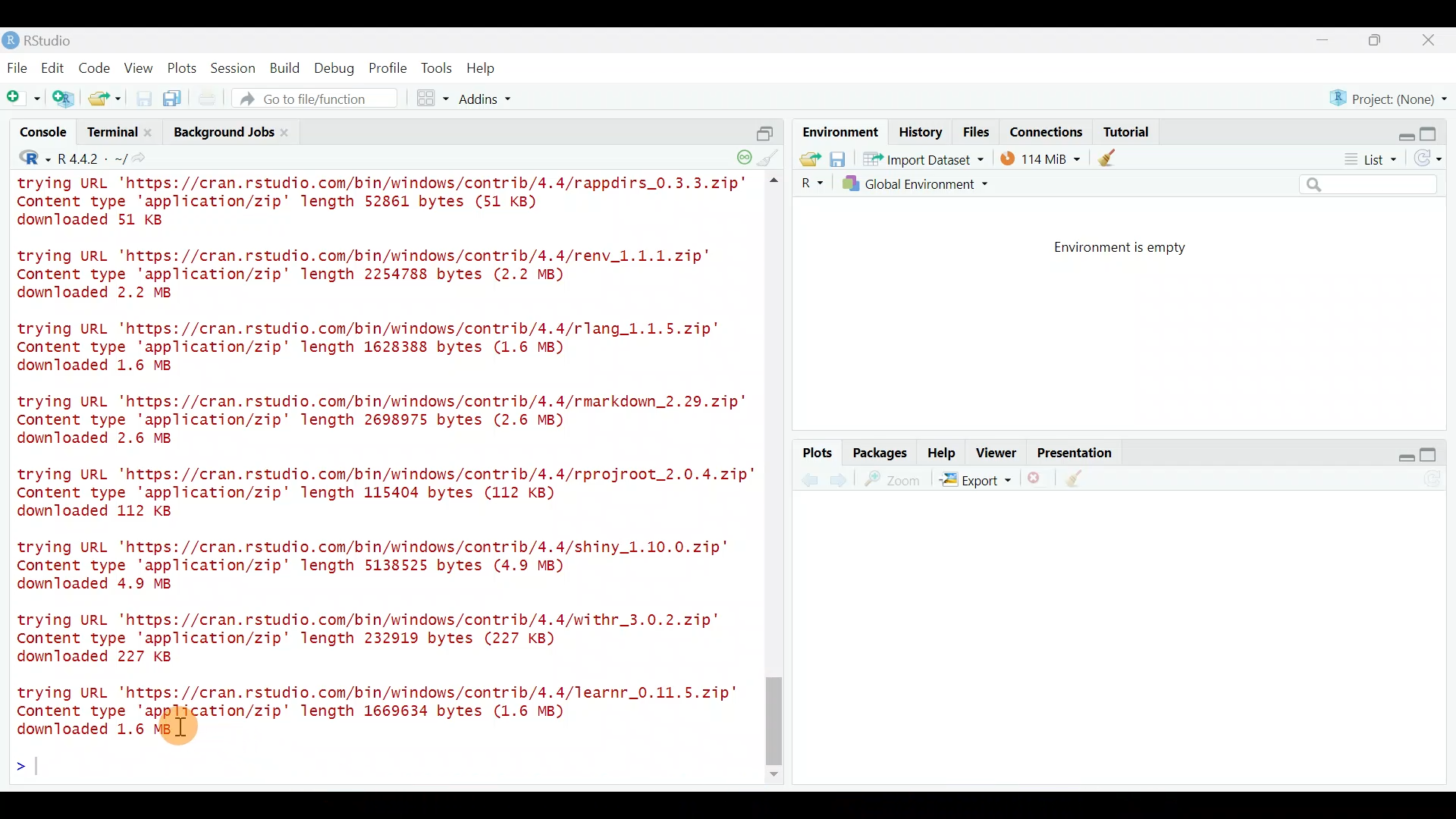 The width and height of the screenshot is (1456, 819). Describe the element at coordinates (483, 68) in the screenshot. I see `Help` at that location.